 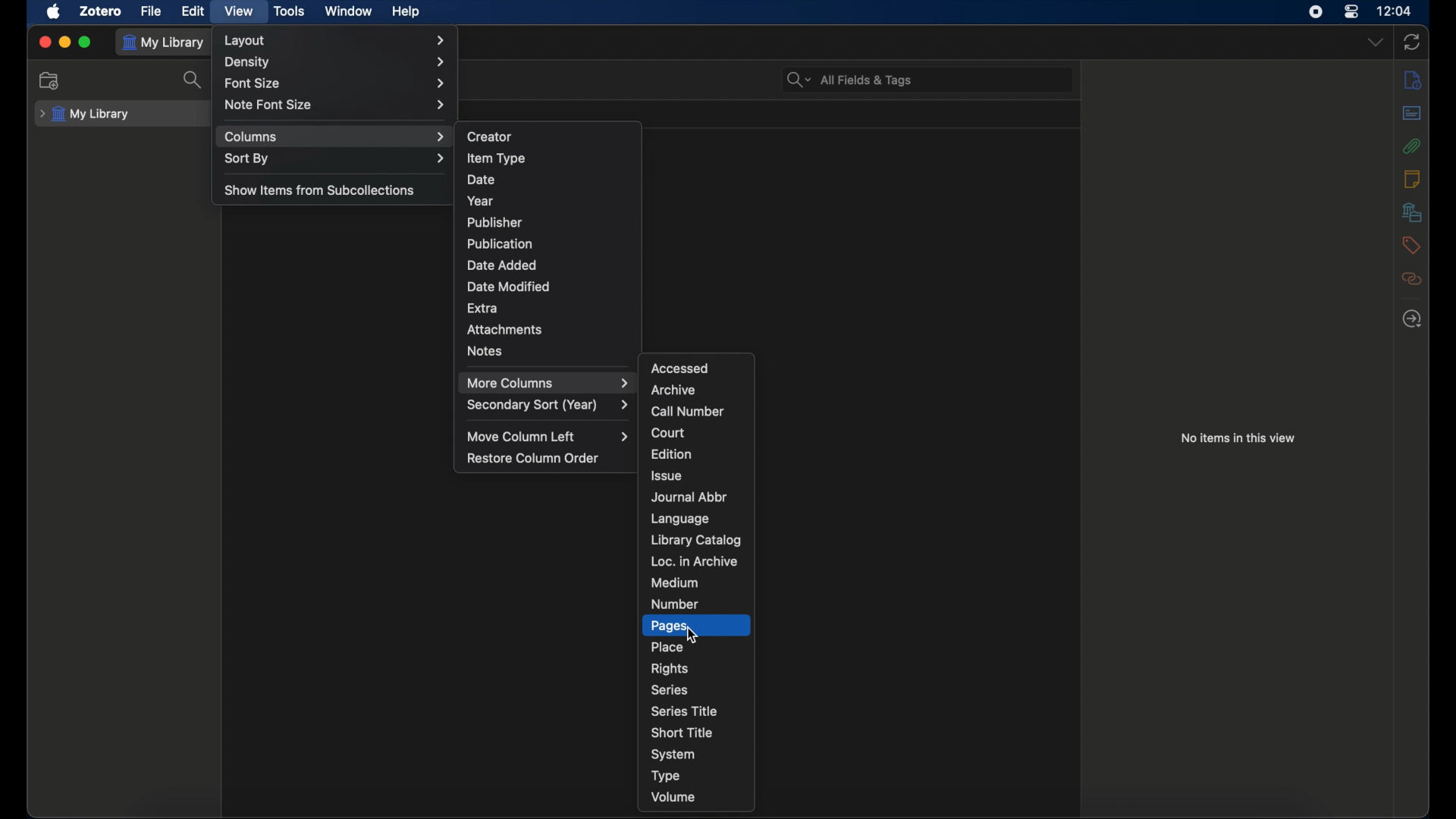 I want to click on medium, so click(x=674, y=582).